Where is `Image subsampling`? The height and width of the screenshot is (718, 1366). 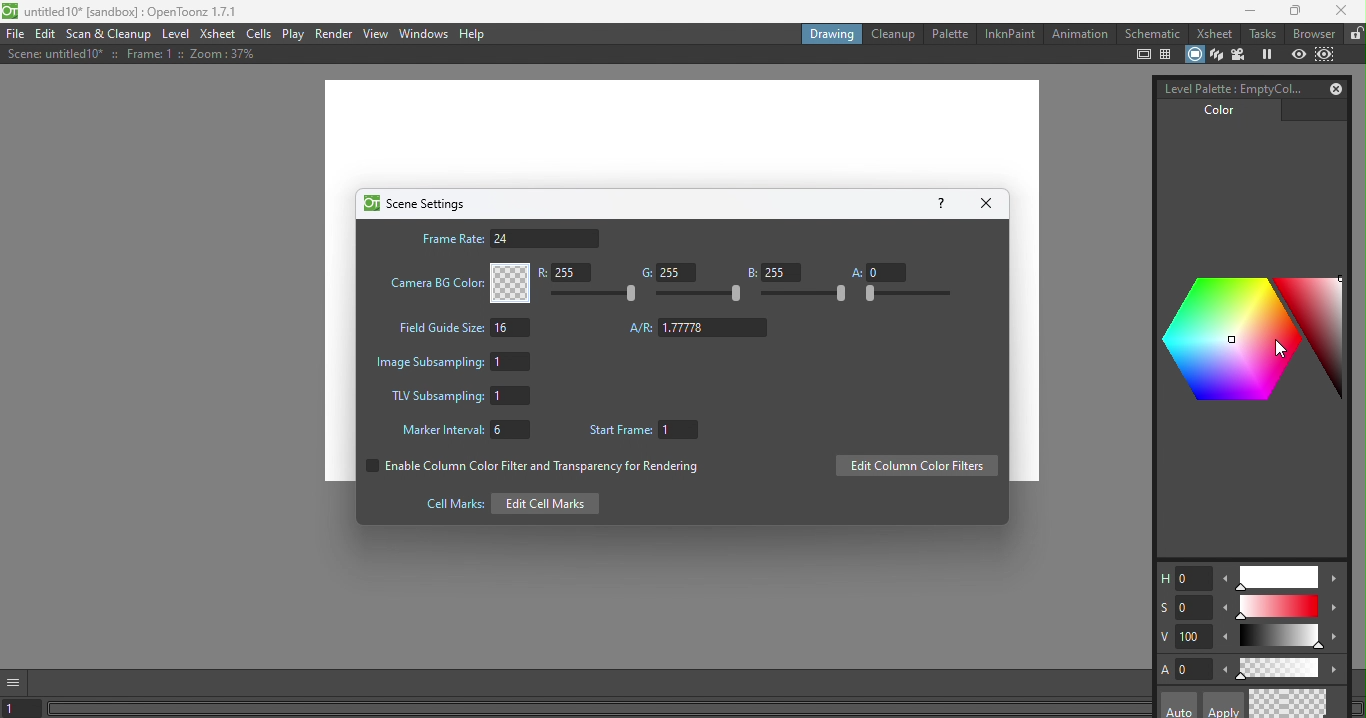 Image subsampling is located at coordinates (457, 360).